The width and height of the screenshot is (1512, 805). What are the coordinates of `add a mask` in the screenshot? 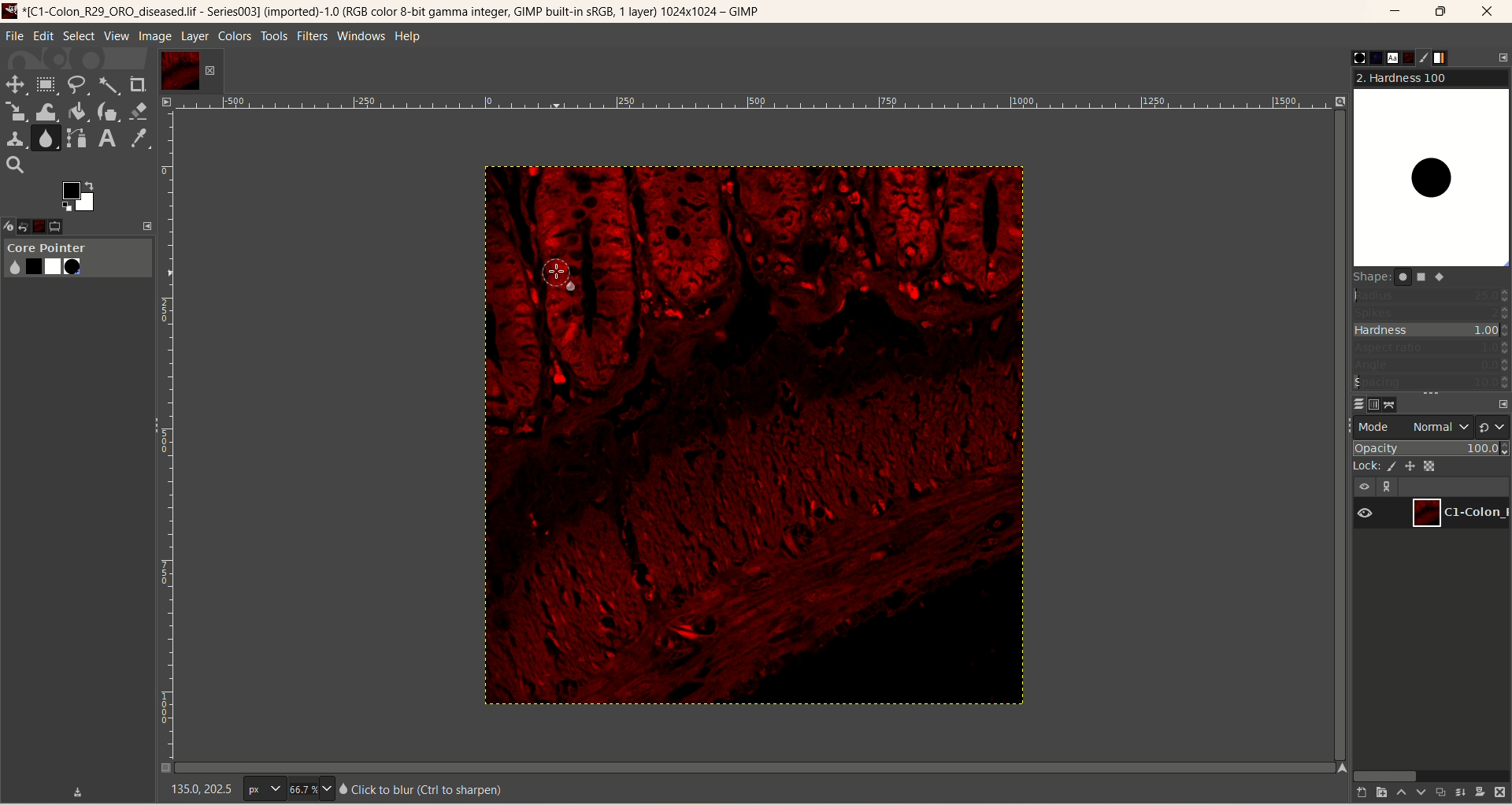 It's located at (1480, 791).